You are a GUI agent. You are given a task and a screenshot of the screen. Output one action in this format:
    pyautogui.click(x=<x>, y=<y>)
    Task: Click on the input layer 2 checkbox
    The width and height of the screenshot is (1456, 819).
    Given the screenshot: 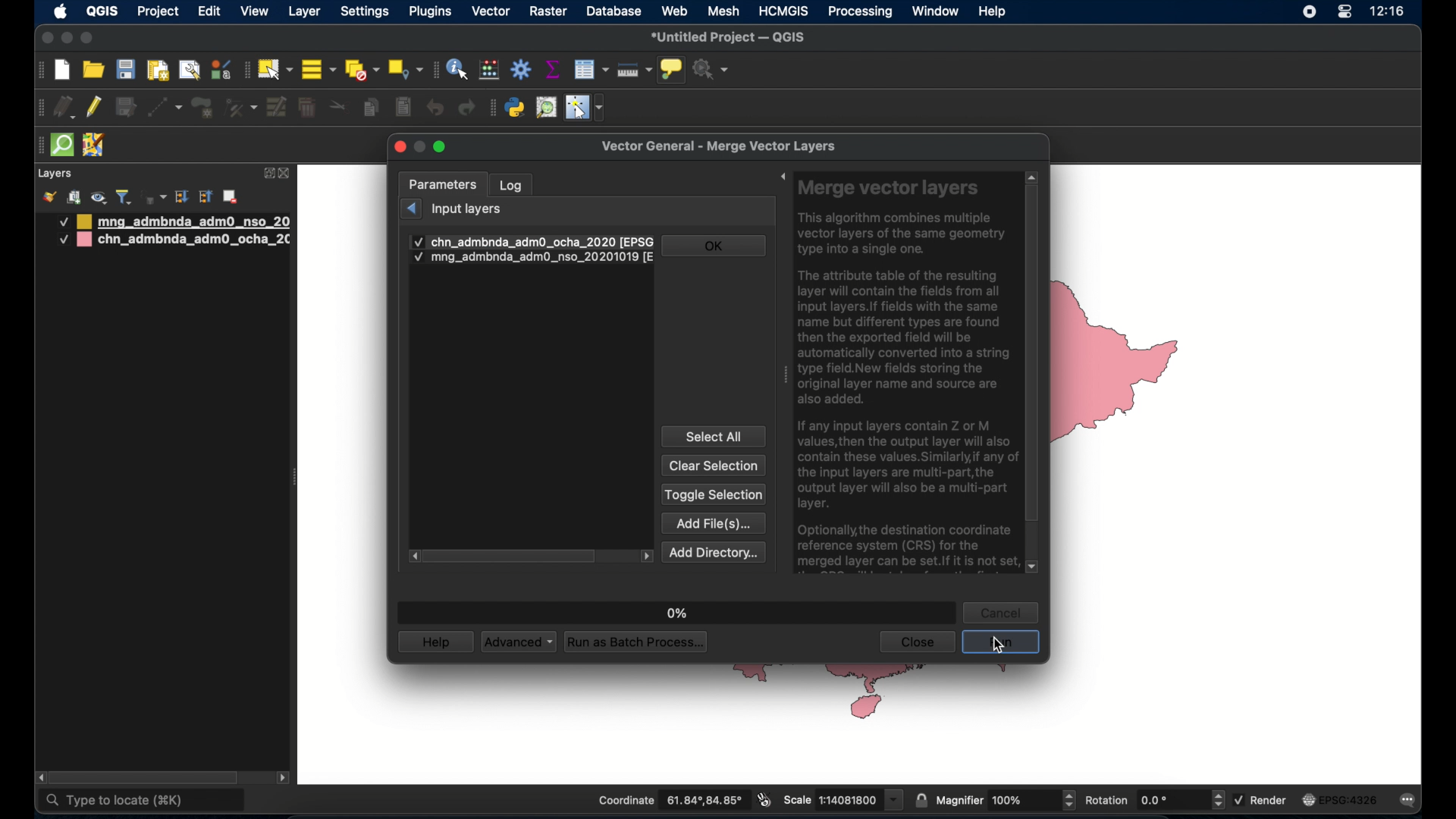 What is the action you would take?
    pyautogui.click(x=535, y=259)
    